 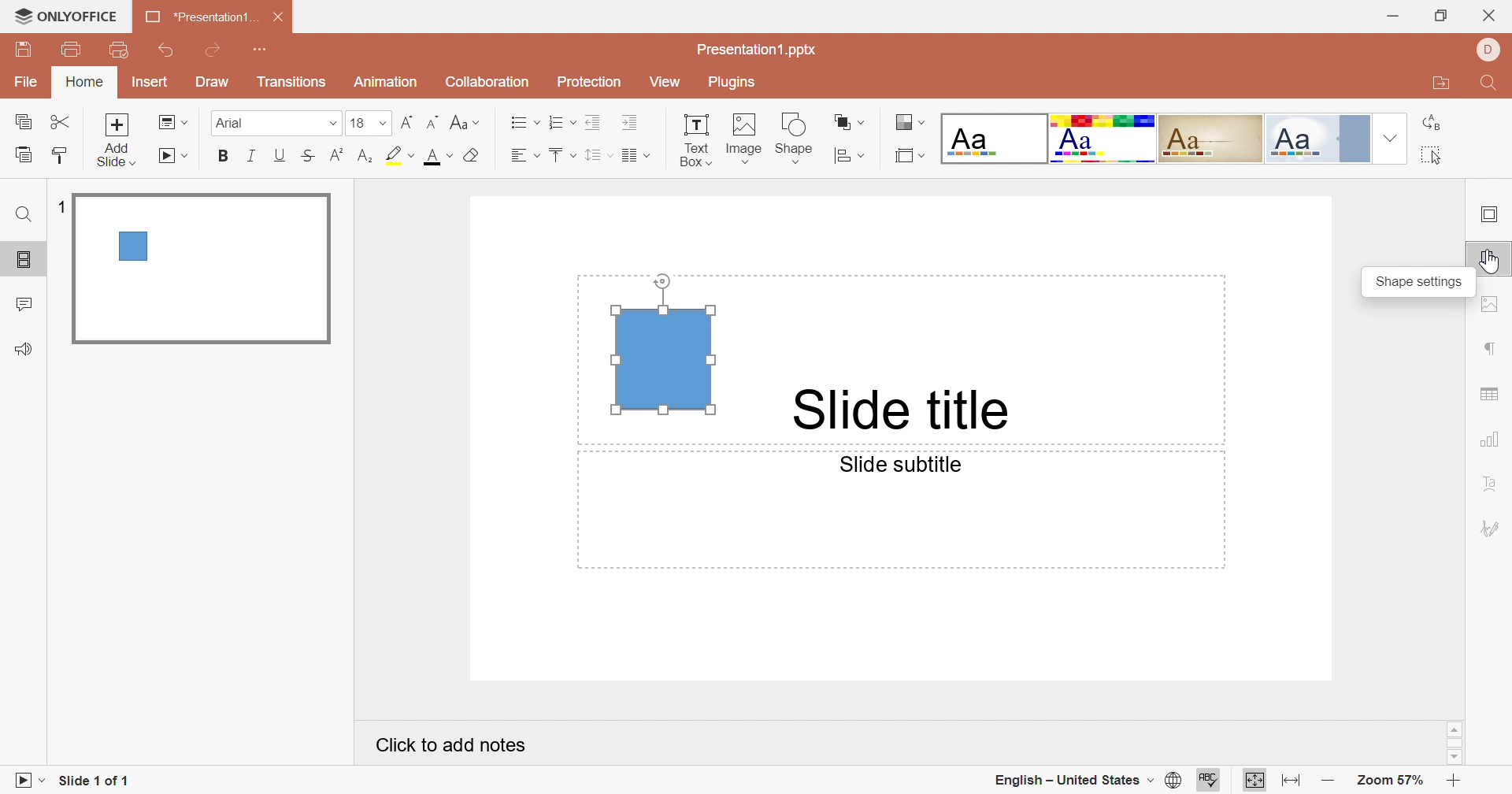 I want to click on Copy, so click(x=24, y=123).